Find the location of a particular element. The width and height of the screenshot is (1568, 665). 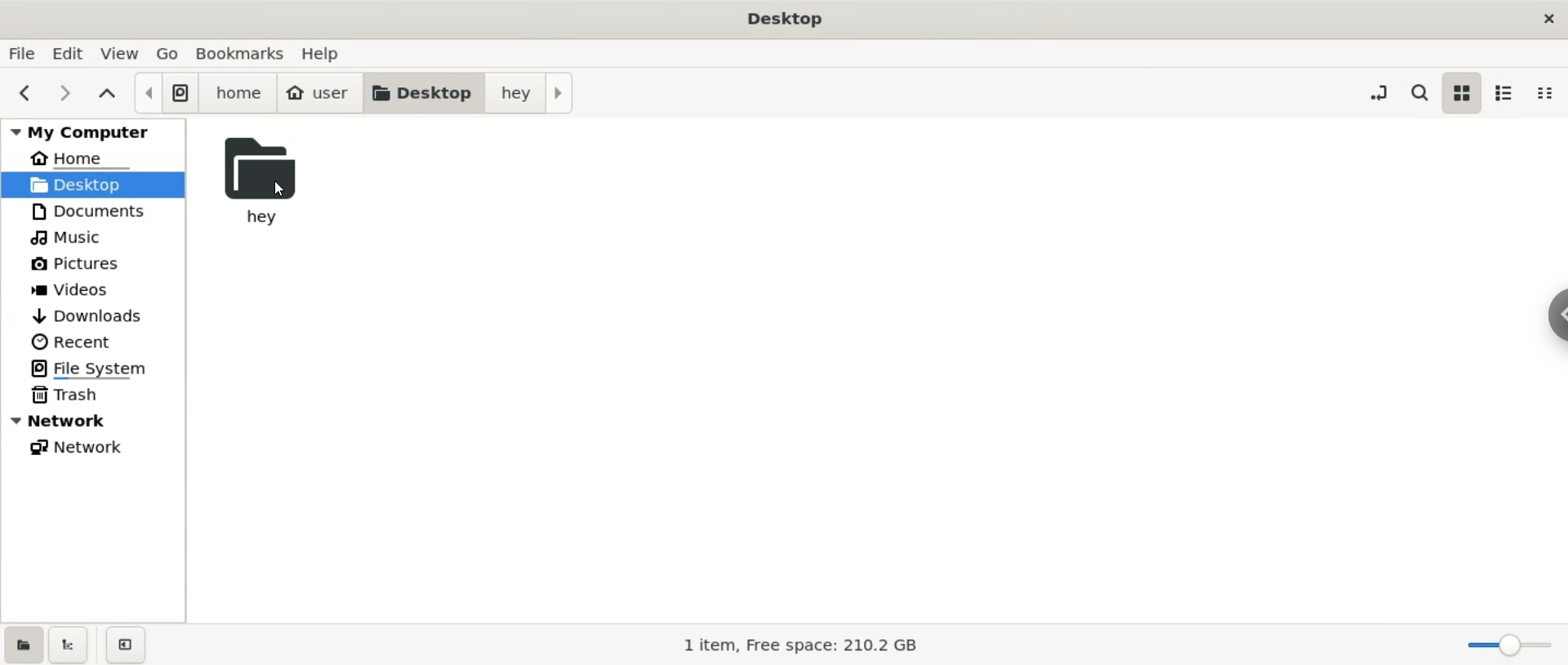

hey folder is located at coordinates (272, 182).